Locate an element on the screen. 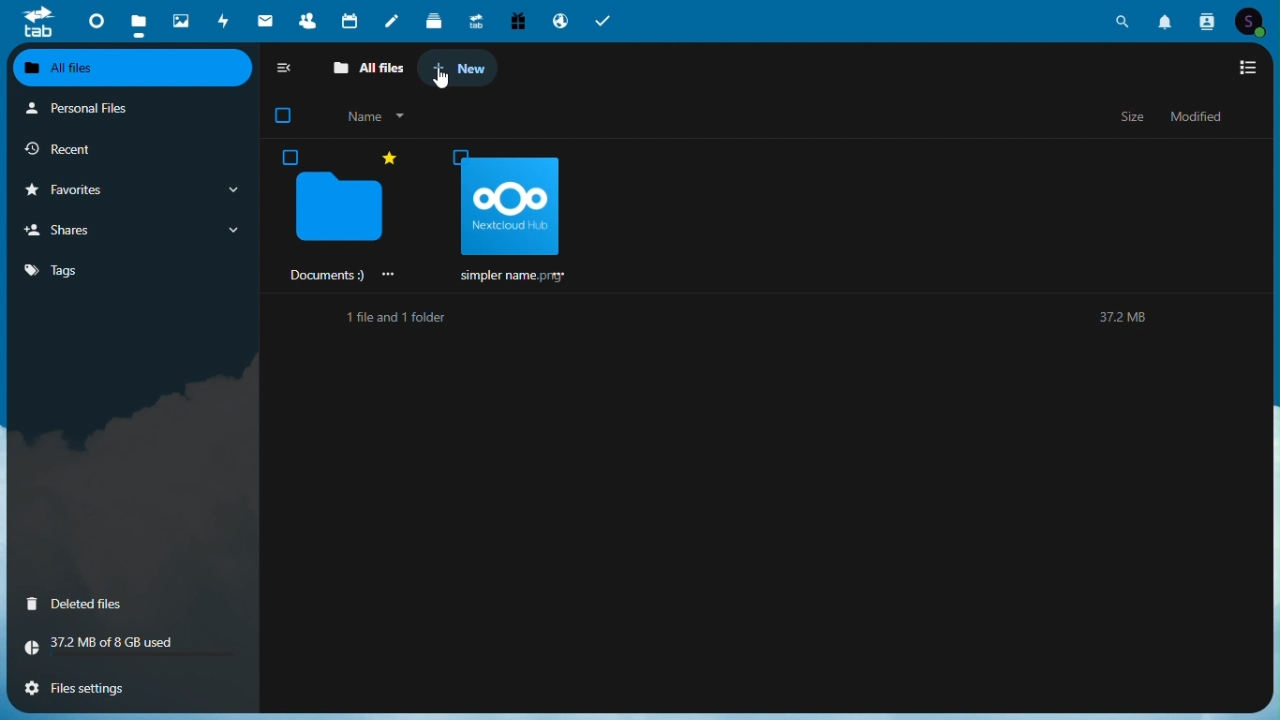 The image size is (1280, 720). Shares is located at coordinates (128, 230).